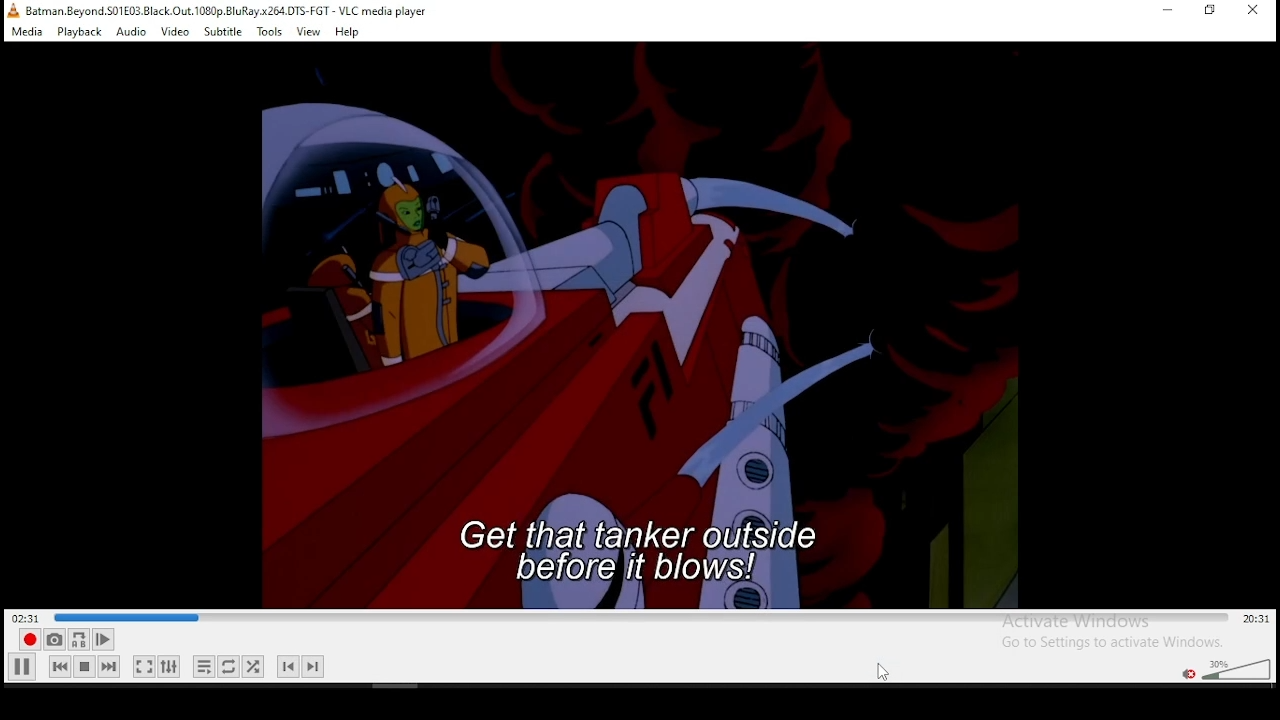 Image resolution: width=1280 pixels, height=720 pixels. I want to click on total/remaining time, so click(1258, 619).